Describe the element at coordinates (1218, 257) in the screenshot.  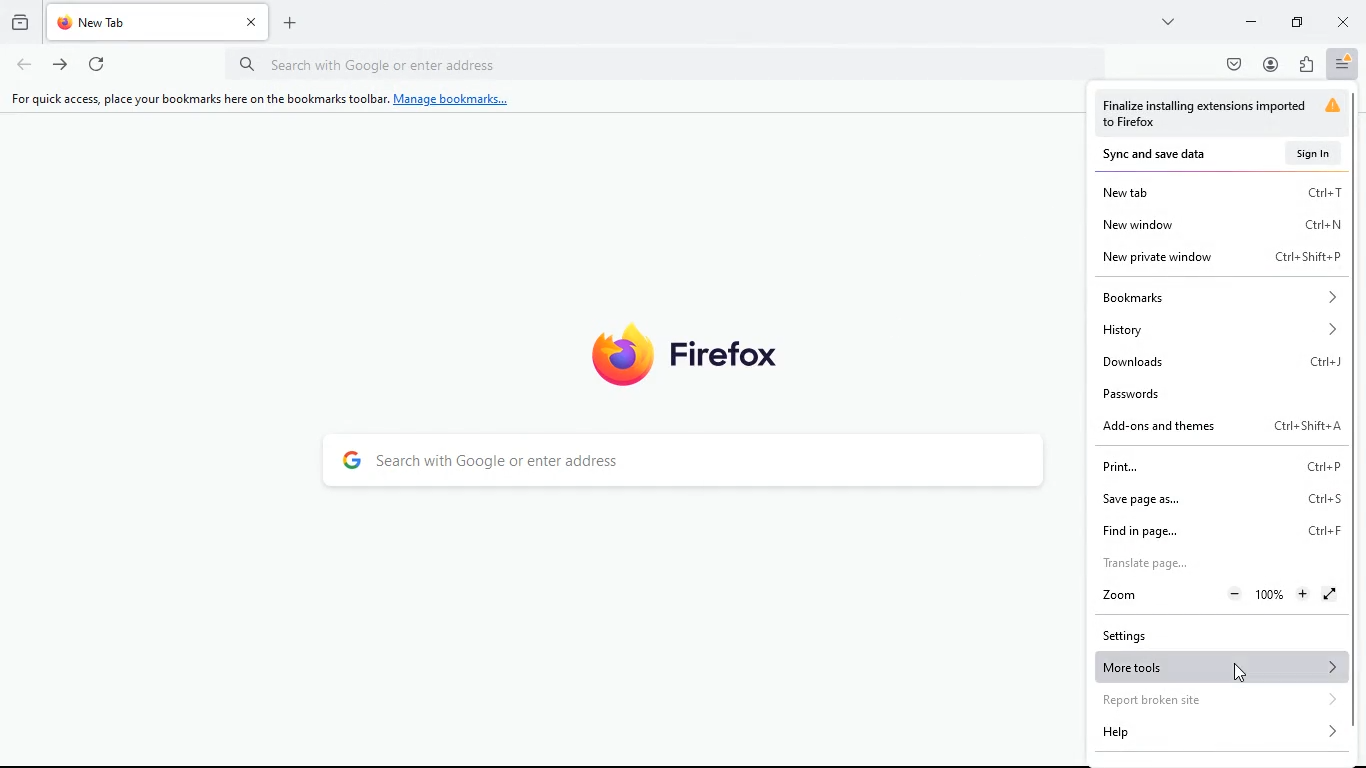
I see `new private window` at that location.